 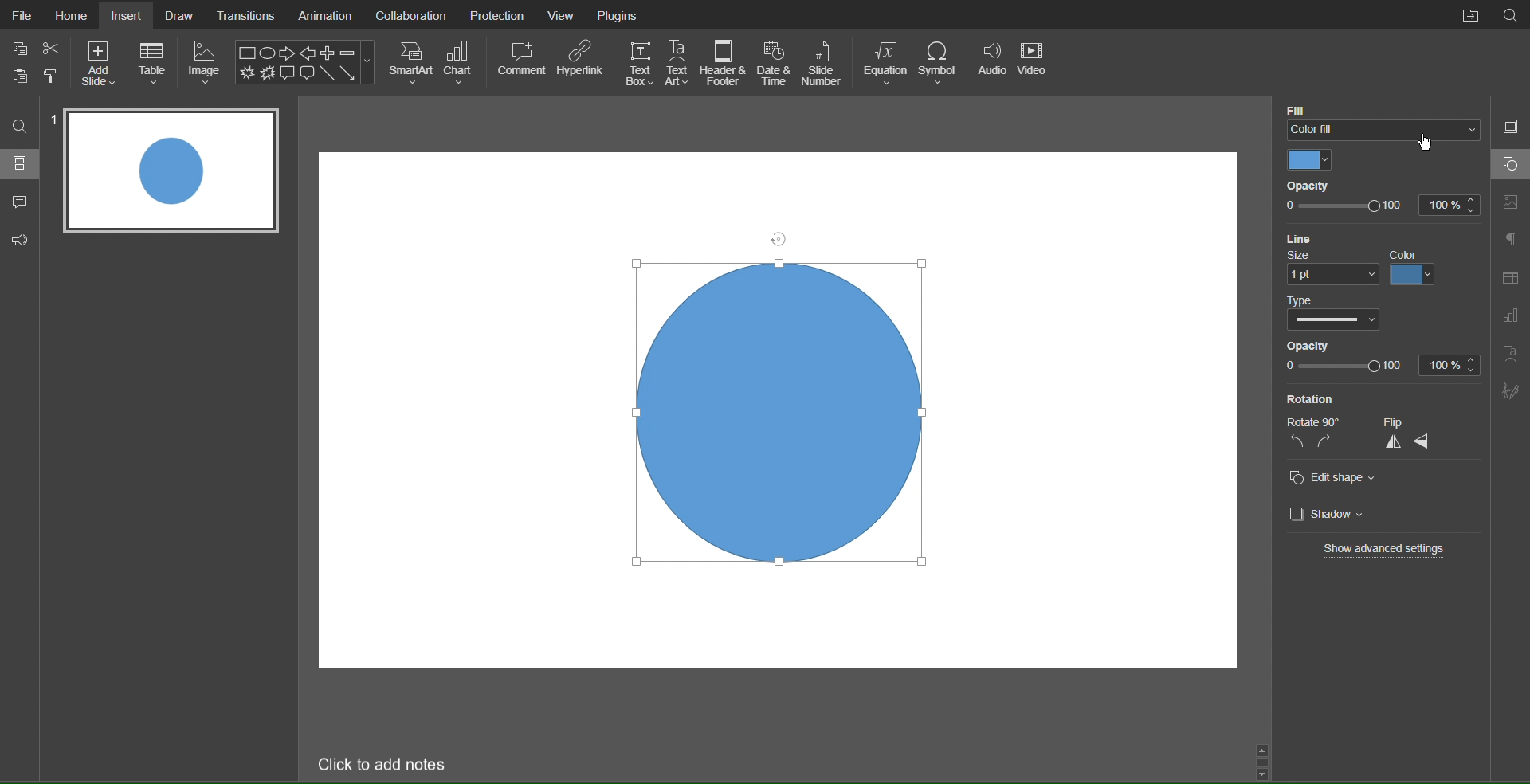 I want to click on Comments, so click(x=21, y=202).